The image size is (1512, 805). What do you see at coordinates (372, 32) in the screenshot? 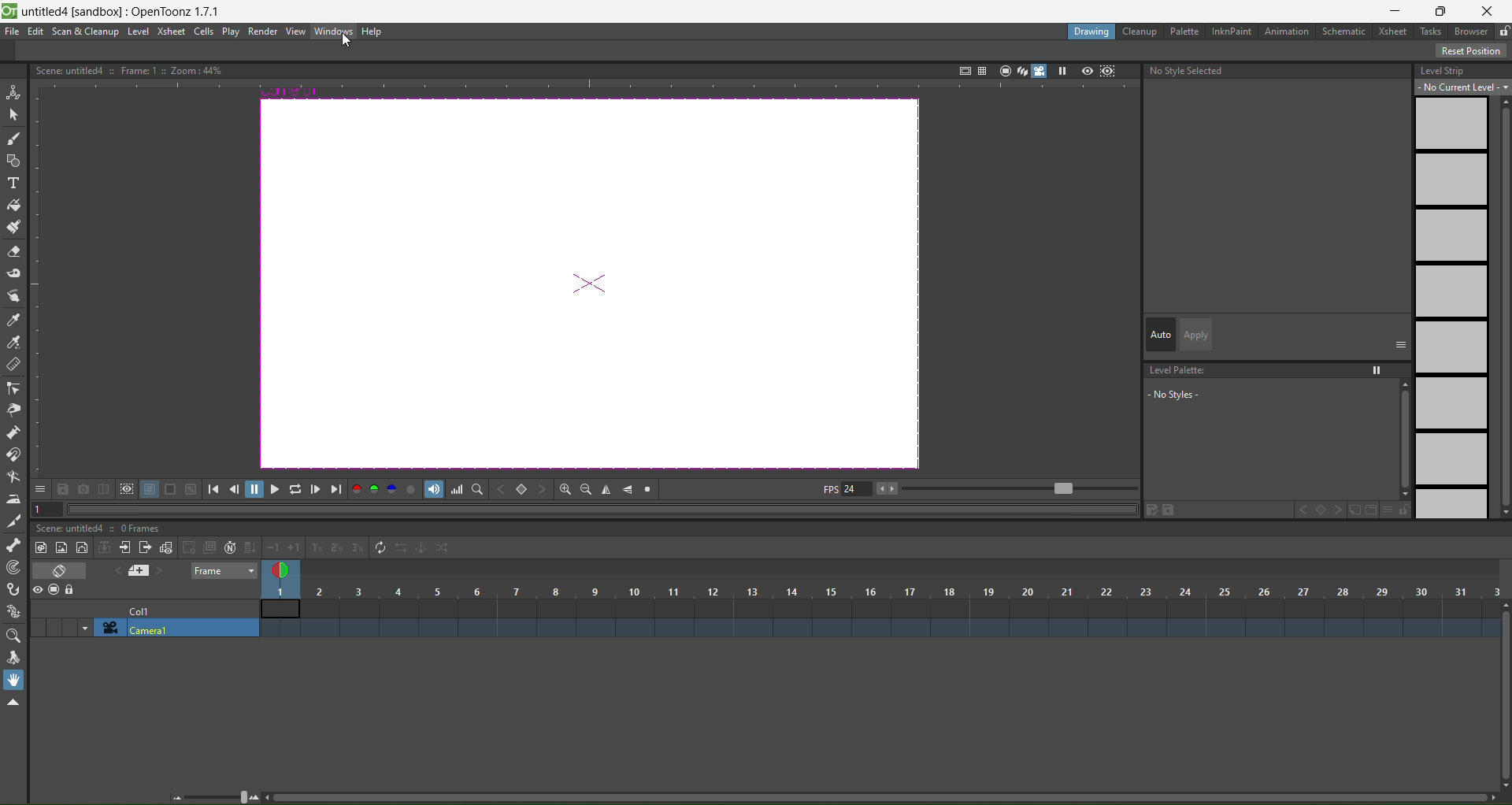
I see `help` at bounding box center [372, 32].